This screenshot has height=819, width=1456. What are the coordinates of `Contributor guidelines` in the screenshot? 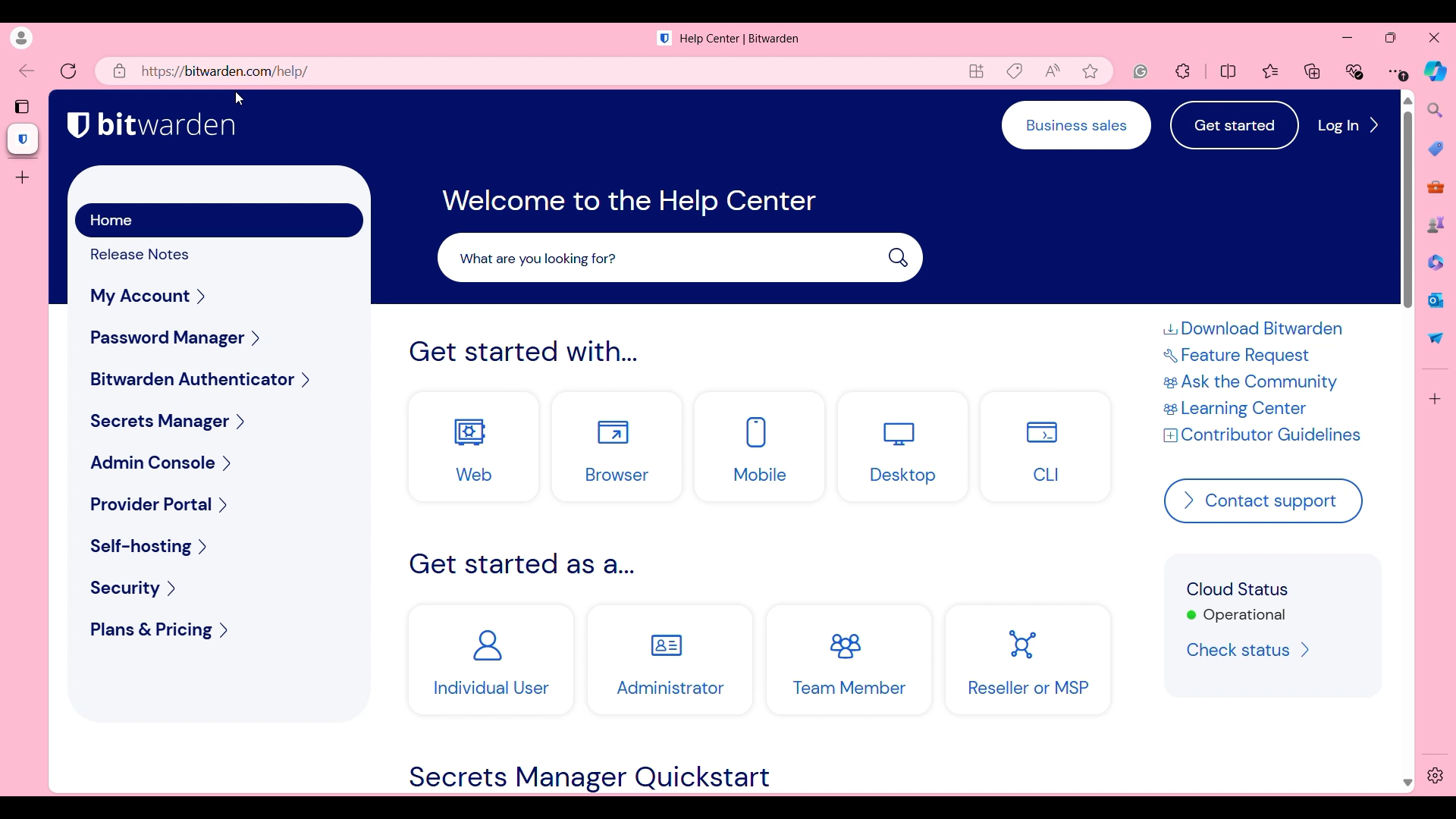 It's located at (1262, 435).